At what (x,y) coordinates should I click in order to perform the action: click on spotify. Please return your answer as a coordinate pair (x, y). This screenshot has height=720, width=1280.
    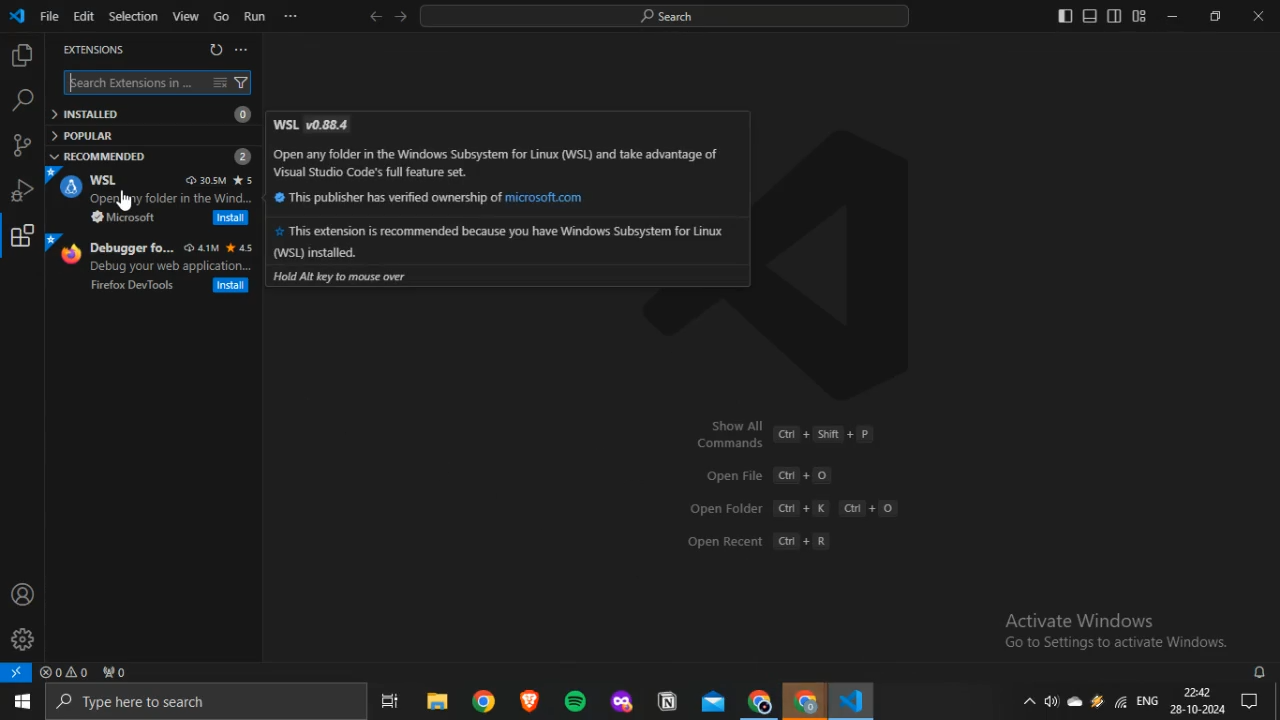
    Looking at the image, I should click on (576, 701).